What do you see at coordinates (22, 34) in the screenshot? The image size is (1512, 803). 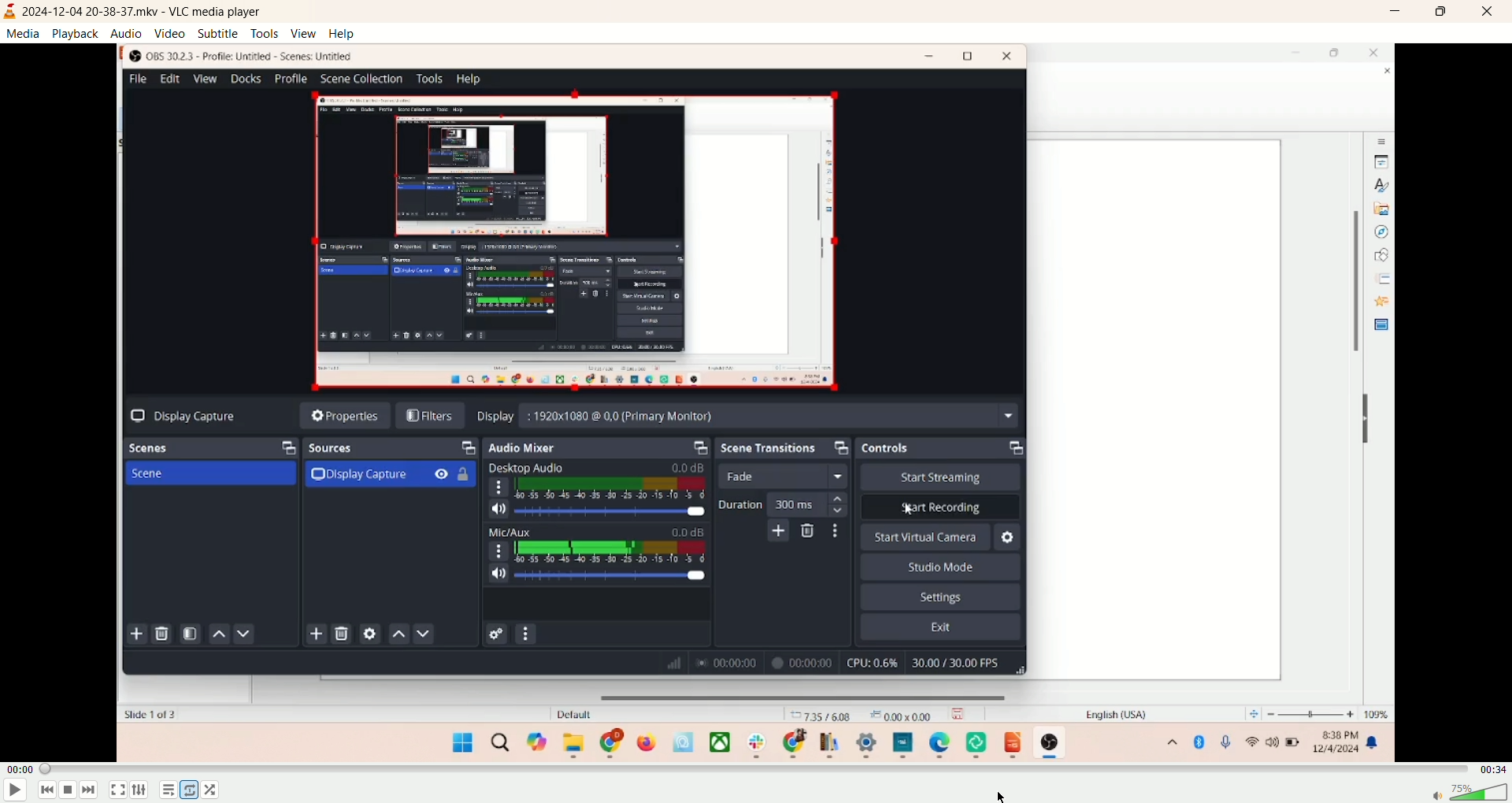 I see `media` at bounding box center [22, 34].